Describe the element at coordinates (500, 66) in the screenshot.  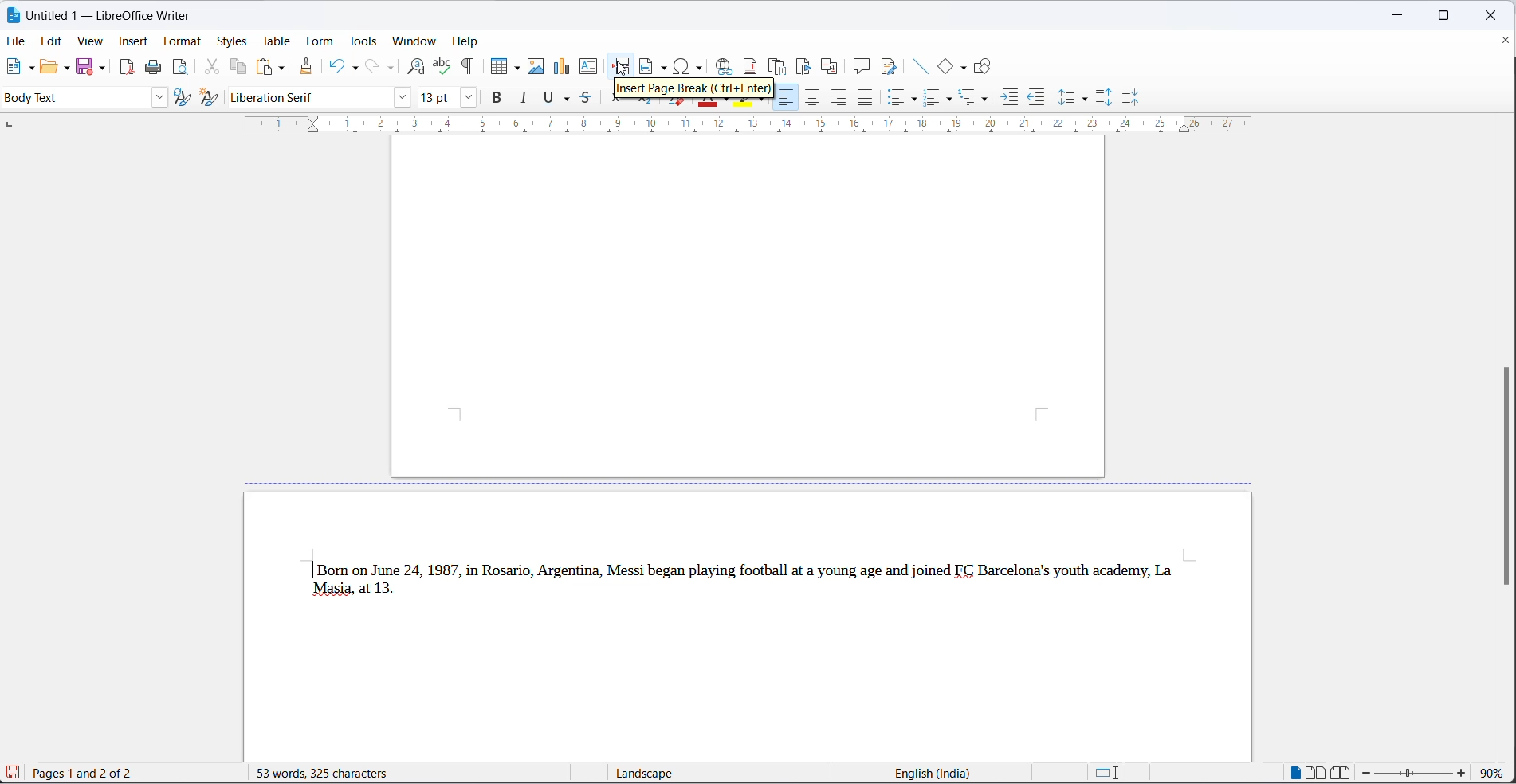
I see `insert table` at that location.